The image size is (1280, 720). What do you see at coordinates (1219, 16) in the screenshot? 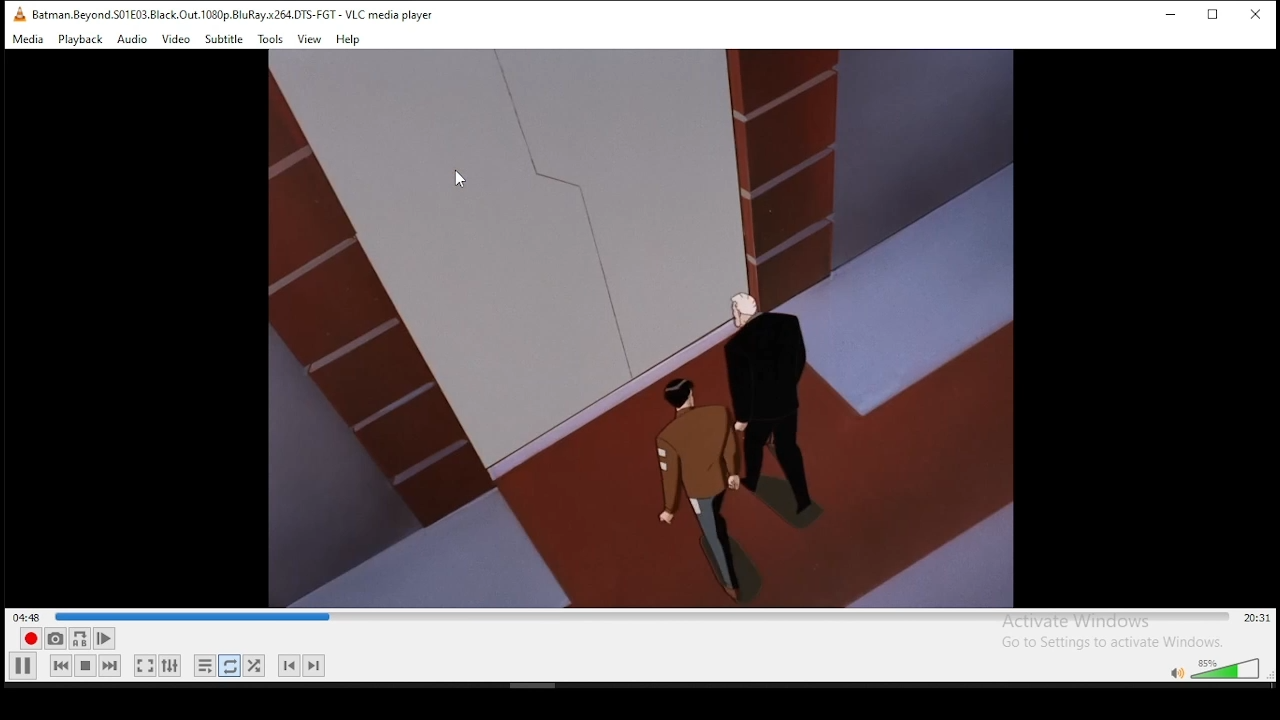
I see `maximize` at bounding box center [1219, 16].